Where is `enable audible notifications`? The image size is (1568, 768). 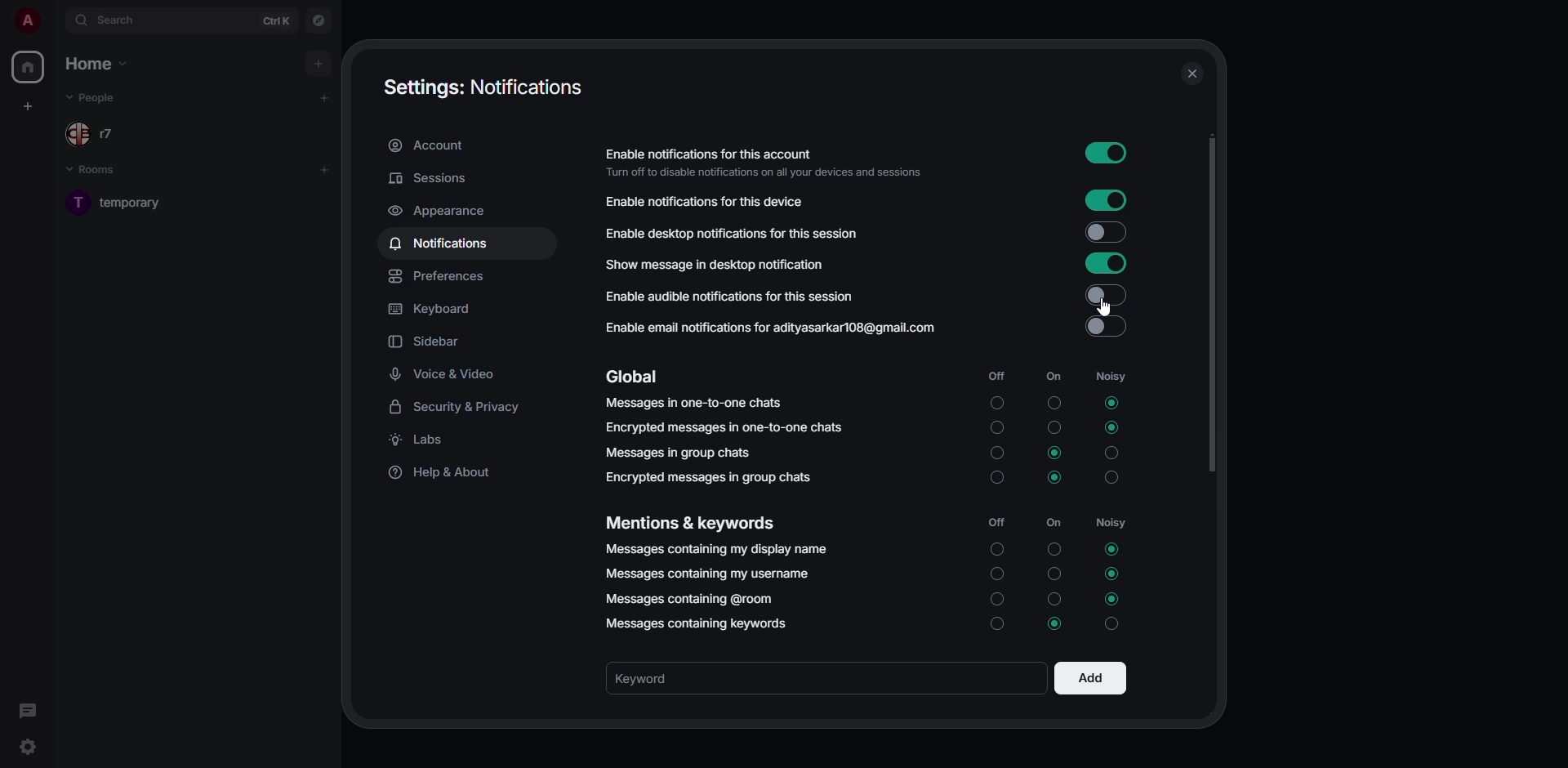
enable audible notifications is located at coordinates (736, 299).